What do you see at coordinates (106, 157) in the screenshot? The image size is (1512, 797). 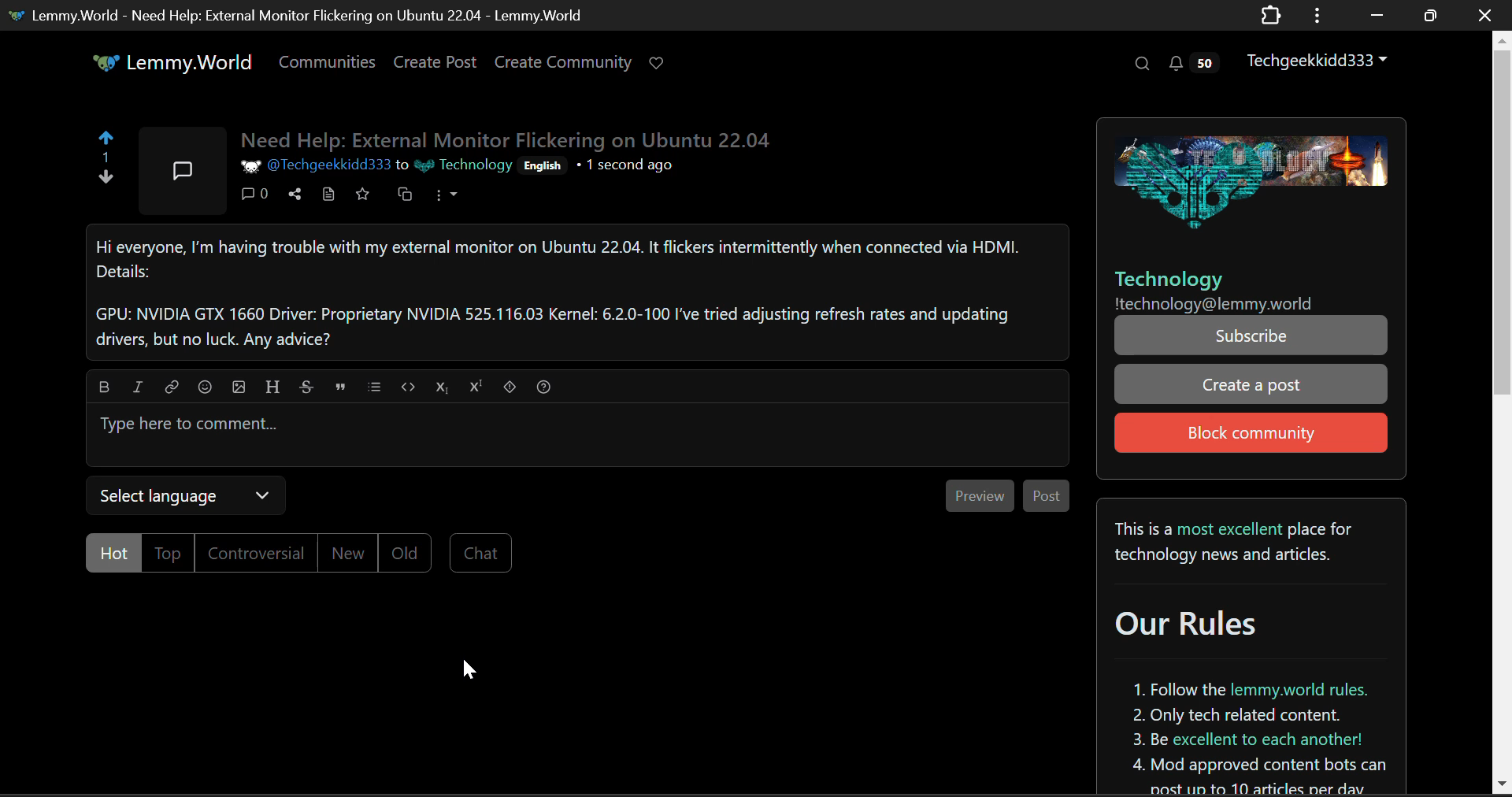 I see `Post Votes Counter` at bounding box center [106, 157].